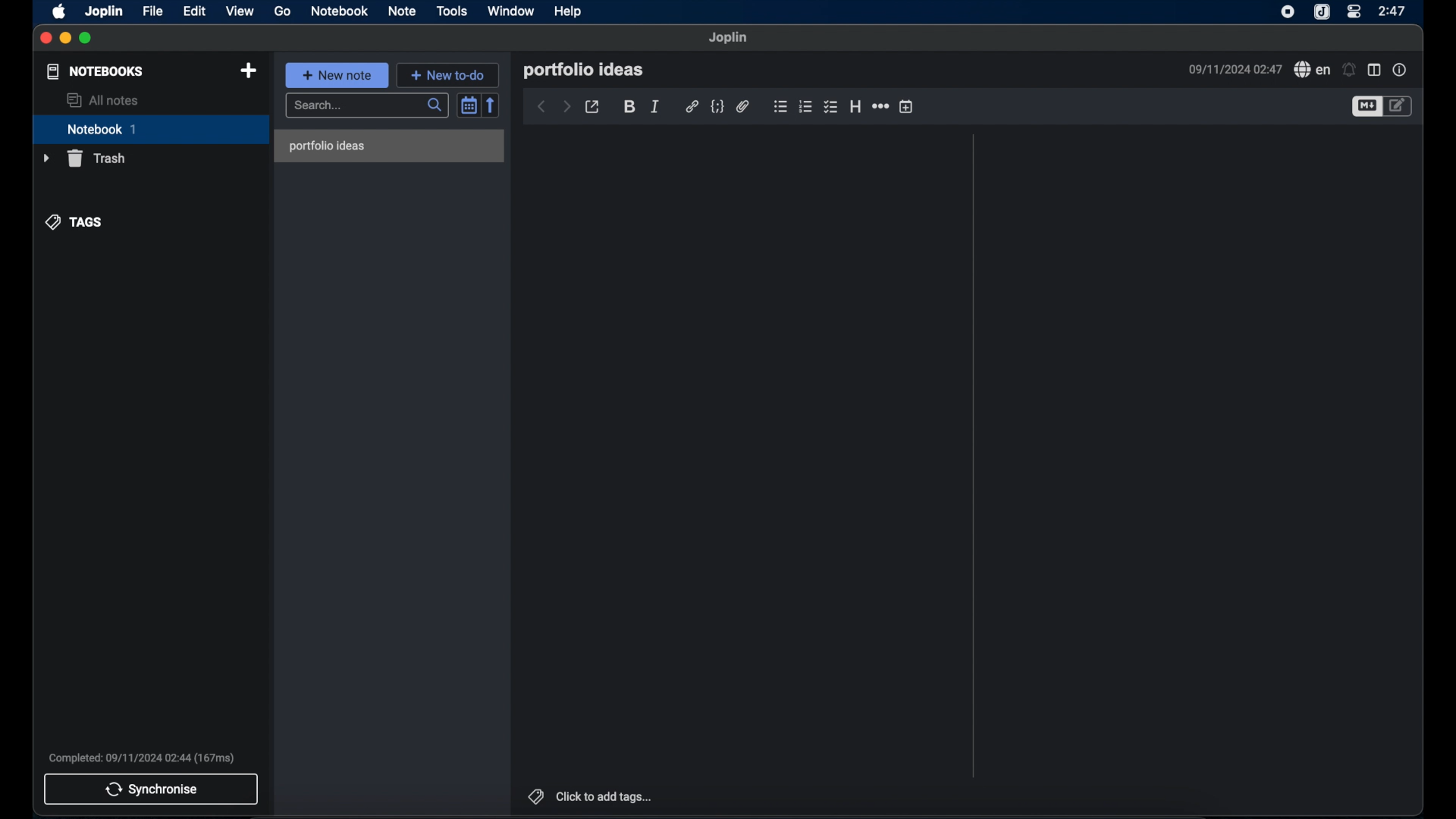 This screenshot has width=1456, height=819. Describe the element at coordinates (974, 456) in the screenshot. I see `divider` at that location.